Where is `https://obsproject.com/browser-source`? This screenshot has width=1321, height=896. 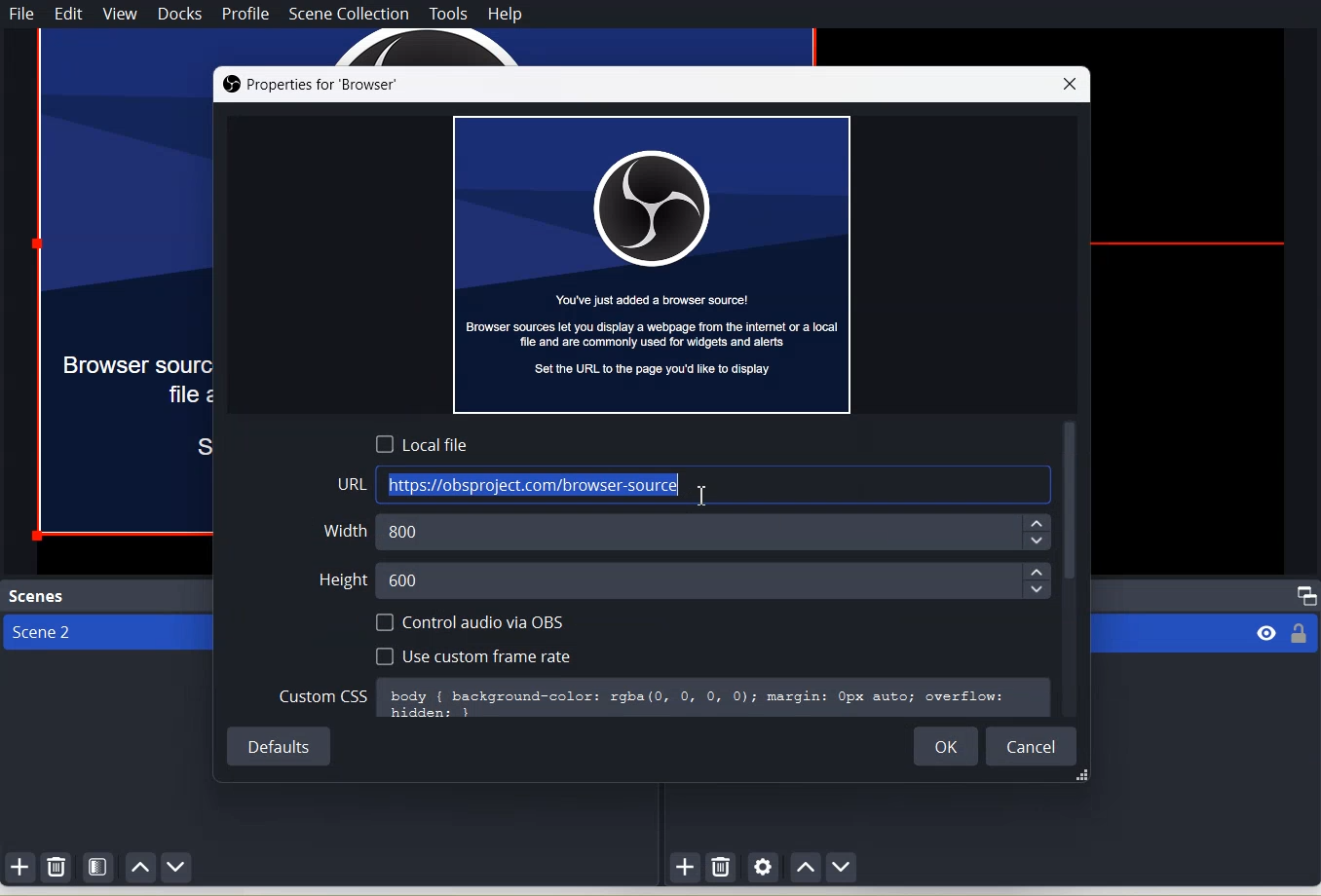
https://obsproject.com/browser-source is located at coordinates (716, 479).